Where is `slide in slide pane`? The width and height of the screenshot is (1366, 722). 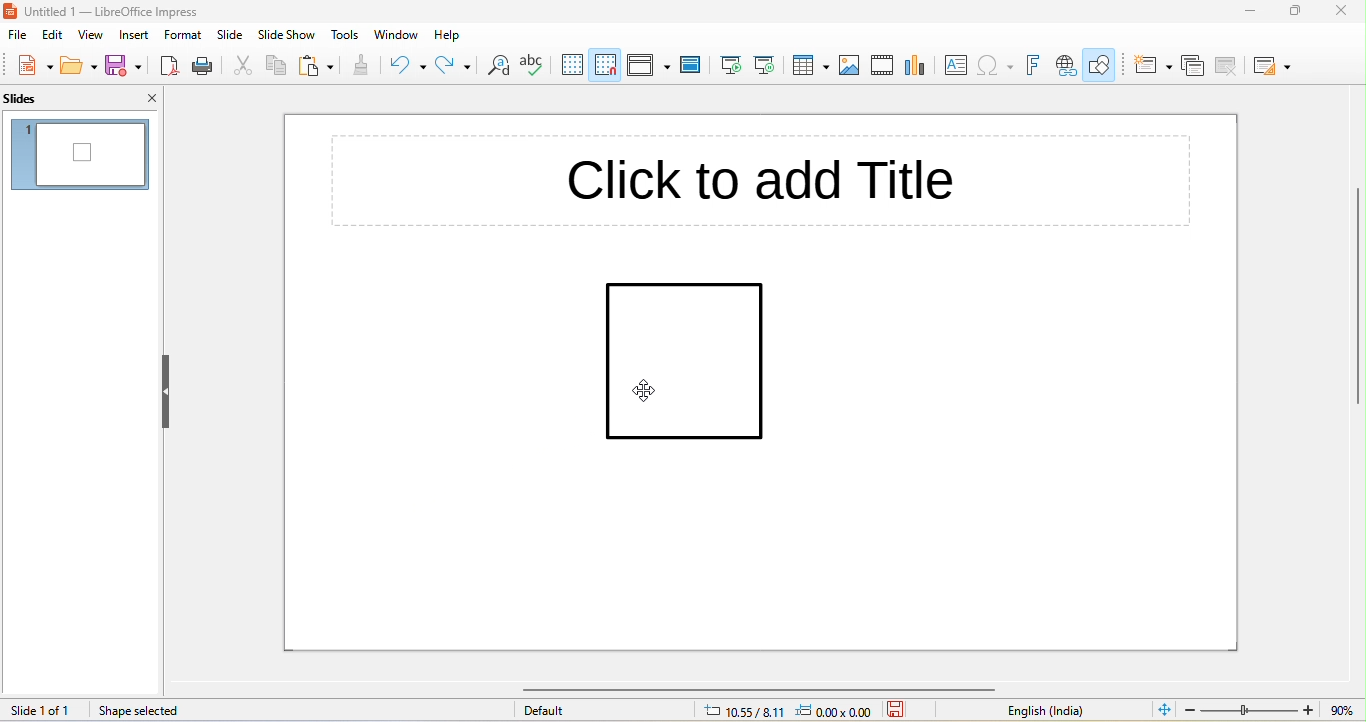
slide in slide pane is located at coordinates (79, 155).